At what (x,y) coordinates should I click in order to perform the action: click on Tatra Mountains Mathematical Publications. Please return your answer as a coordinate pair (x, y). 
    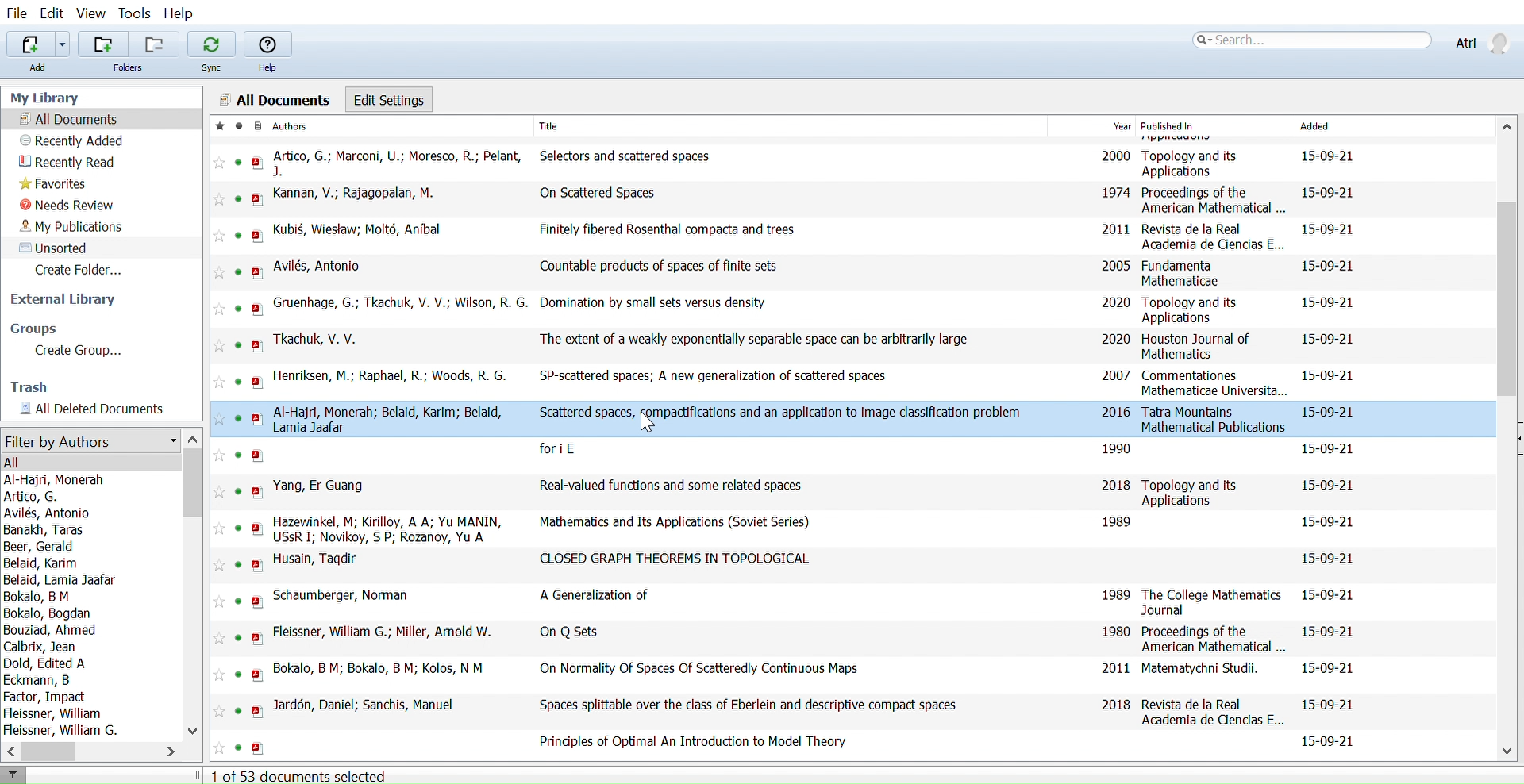
    Looking at the image, I should click on (1214, 420).